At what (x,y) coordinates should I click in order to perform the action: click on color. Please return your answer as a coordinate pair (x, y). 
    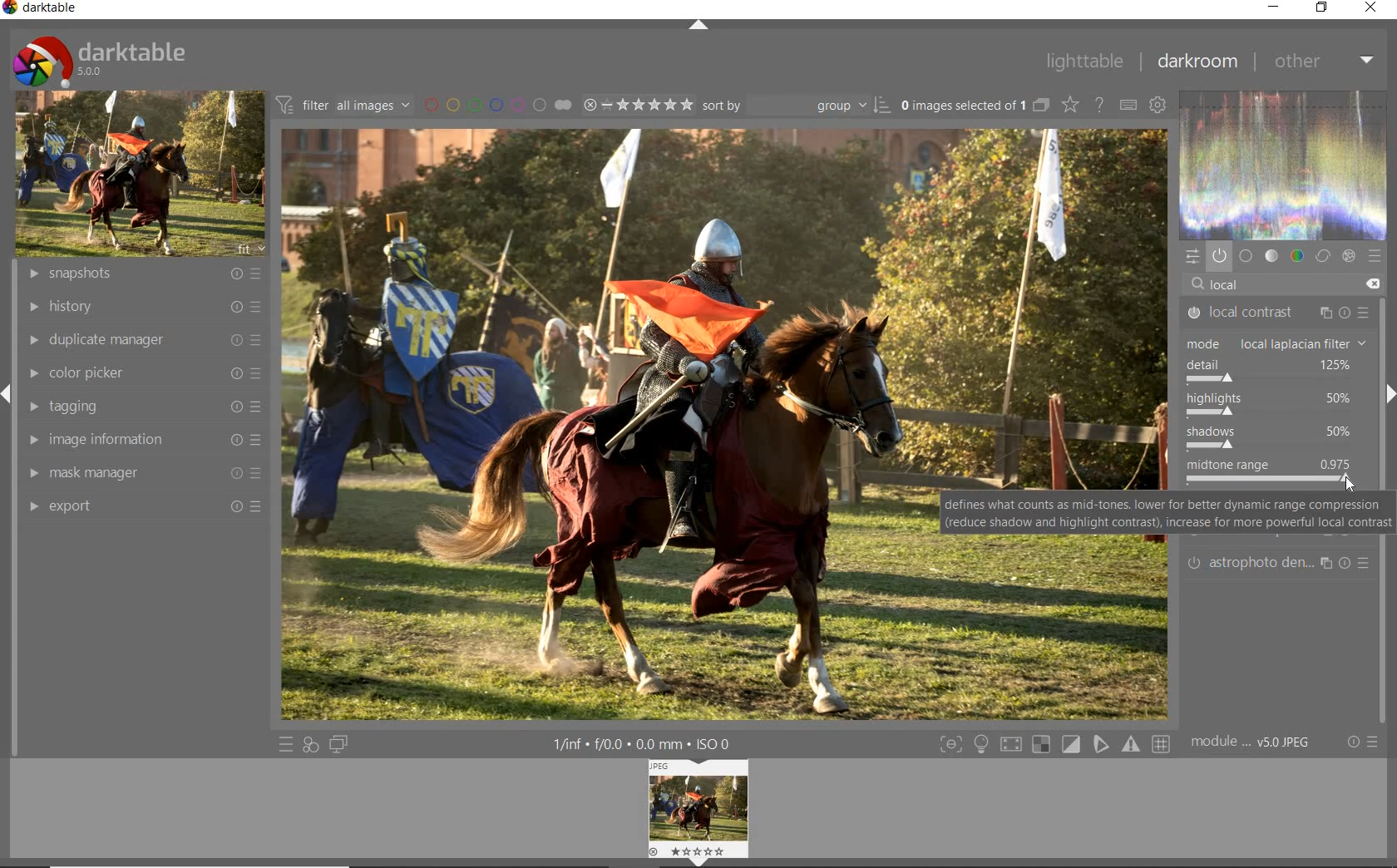
    Looking at the image, I should click on (1298, 254).